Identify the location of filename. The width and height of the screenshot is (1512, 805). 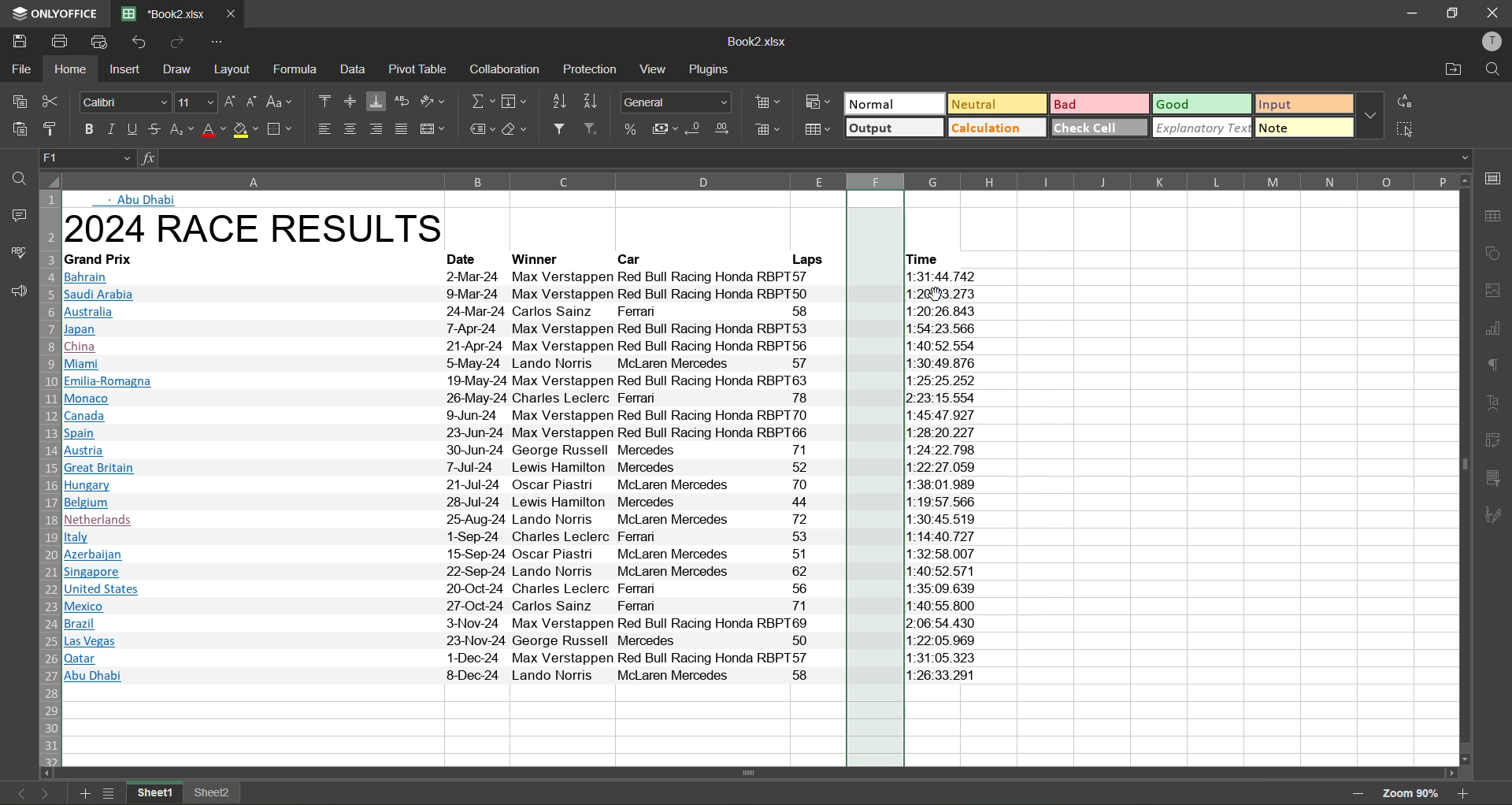
(760, 43).